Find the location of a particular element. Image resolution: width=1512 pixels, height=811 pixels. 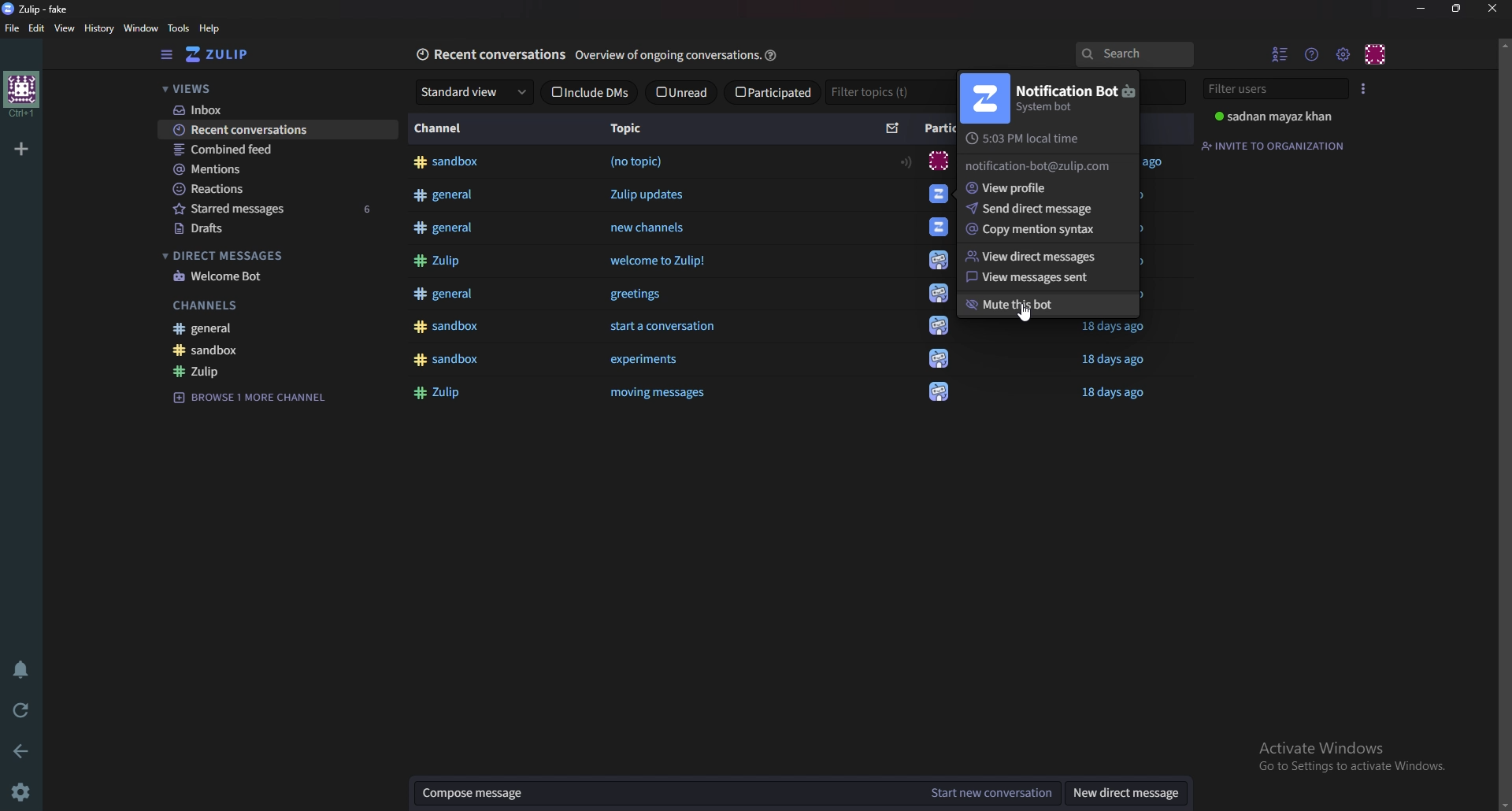

Participated is located at coordinates (770, 92).